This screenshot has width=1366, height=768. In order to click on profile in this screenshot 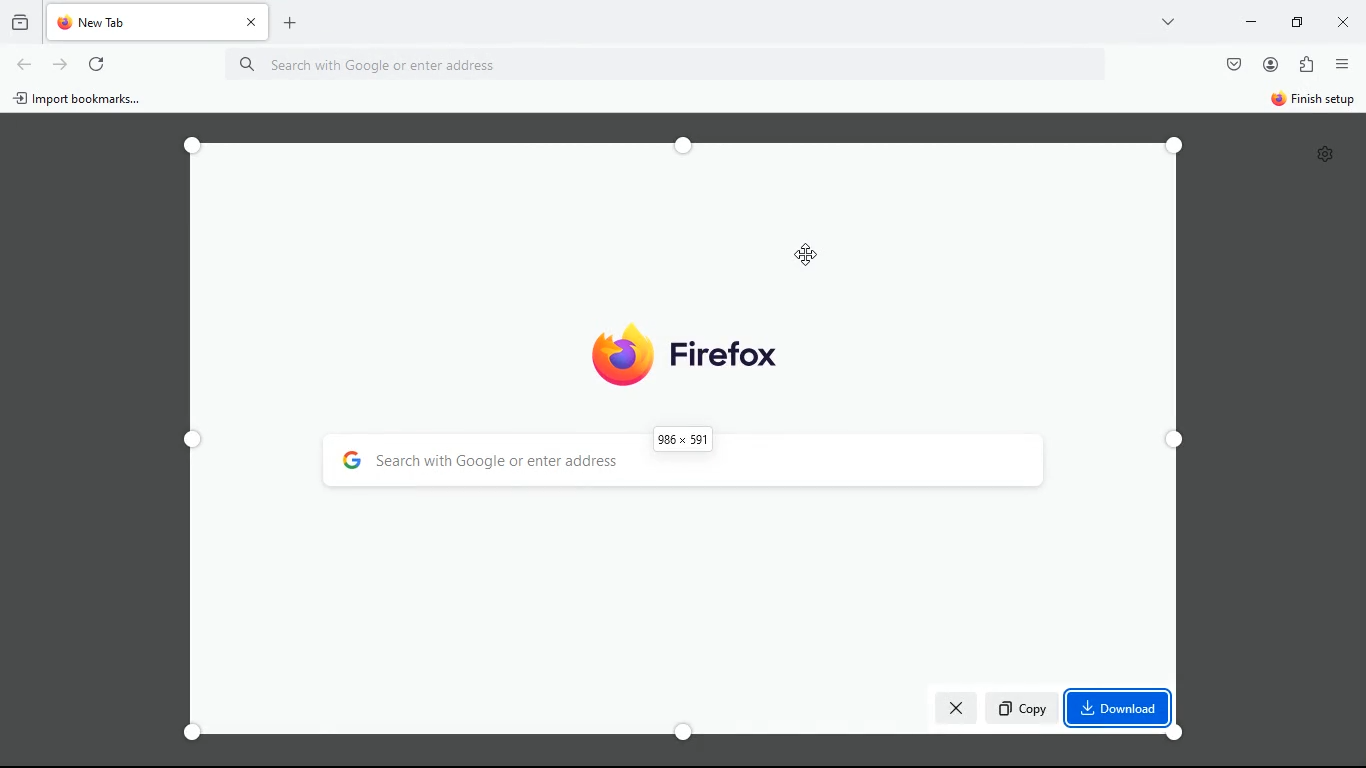, I will do `click(1270, 65)`.